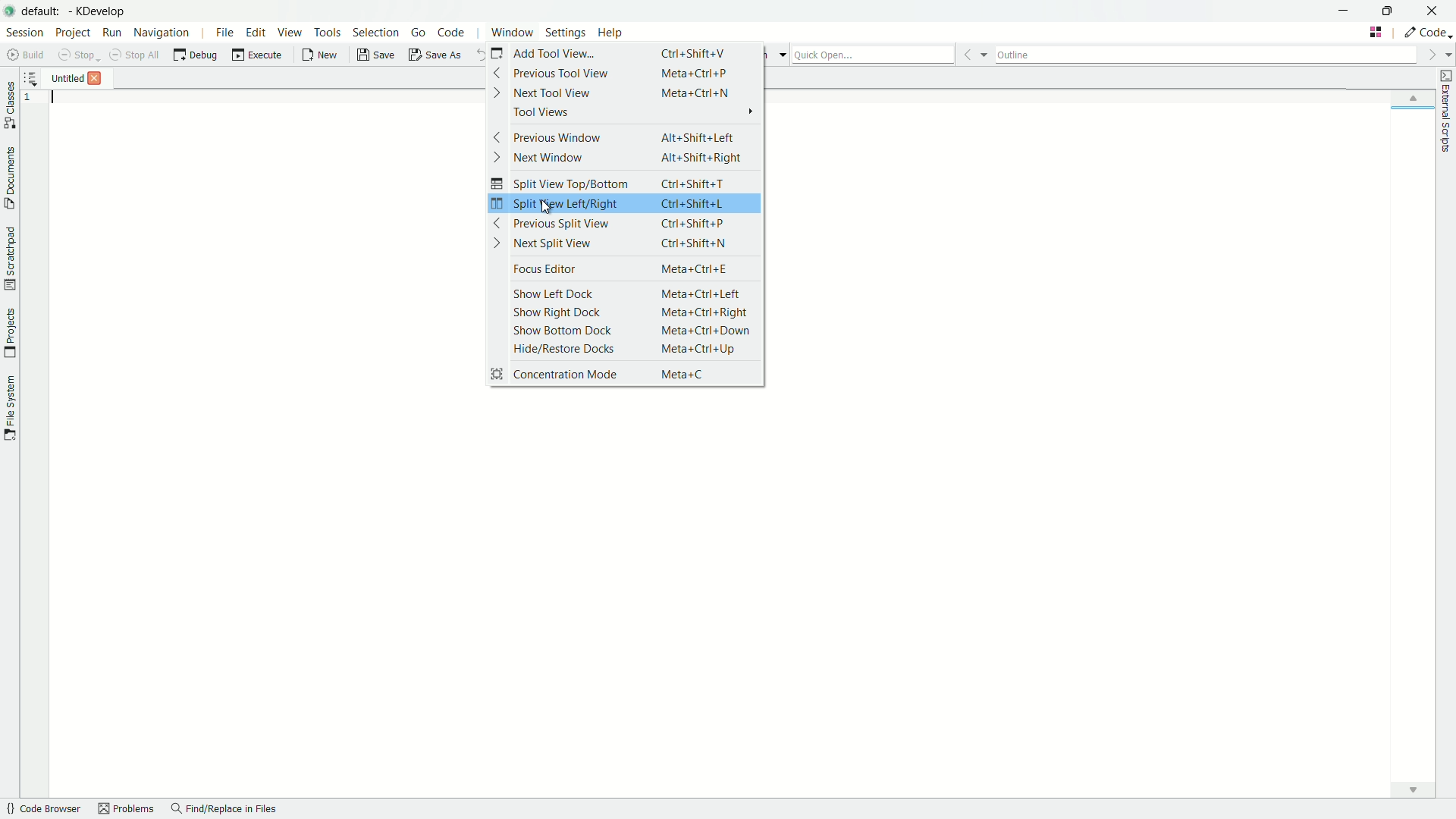  What do you see at coordinates (14, 175) in the screenshot?
I see `toggle documents` at bounding box center [14, 175].